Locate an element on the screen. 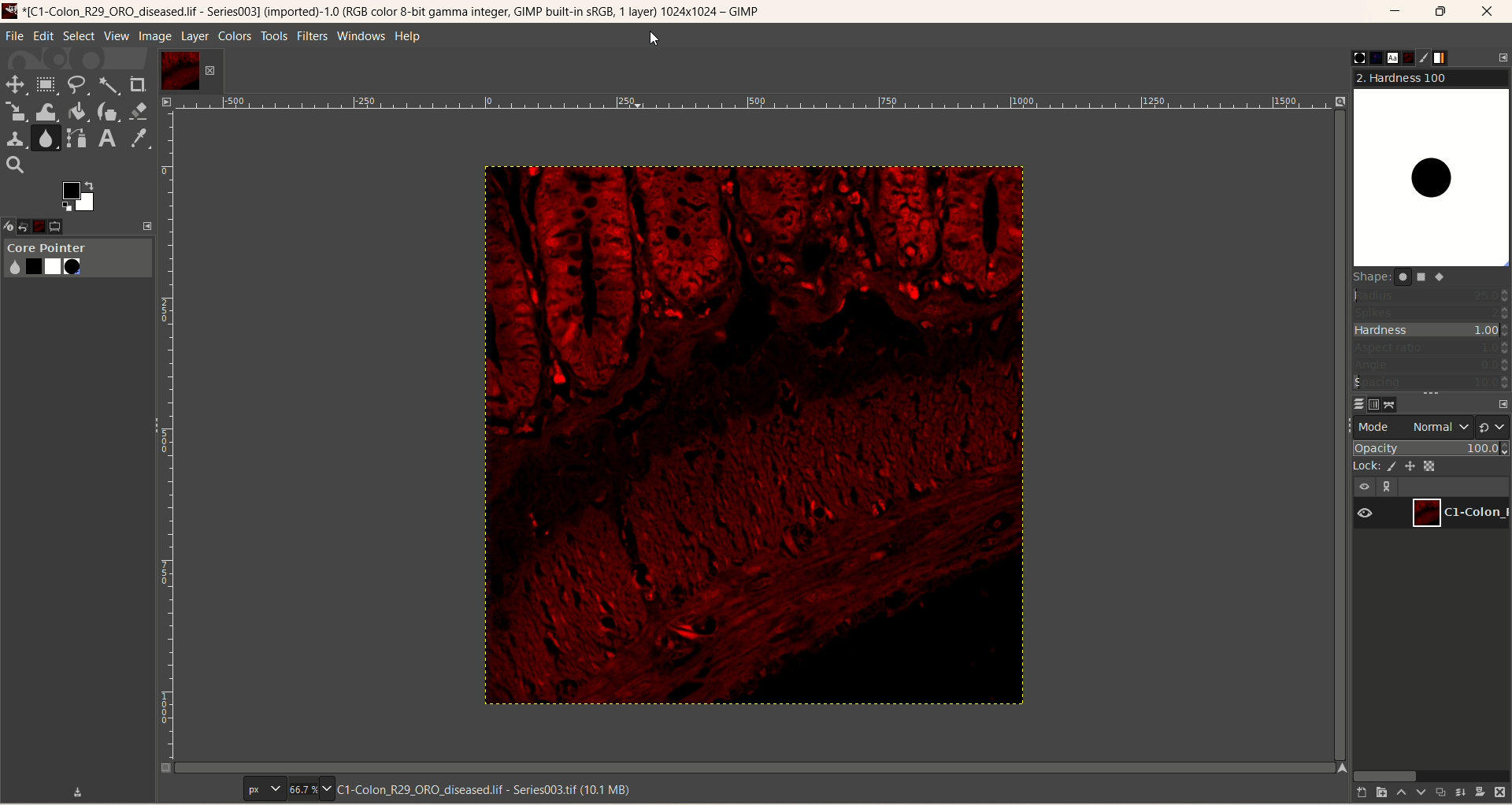 Image resolution: width=1512 pixels, height=805 pixels. scale bar is located at coordinates (165, 440).